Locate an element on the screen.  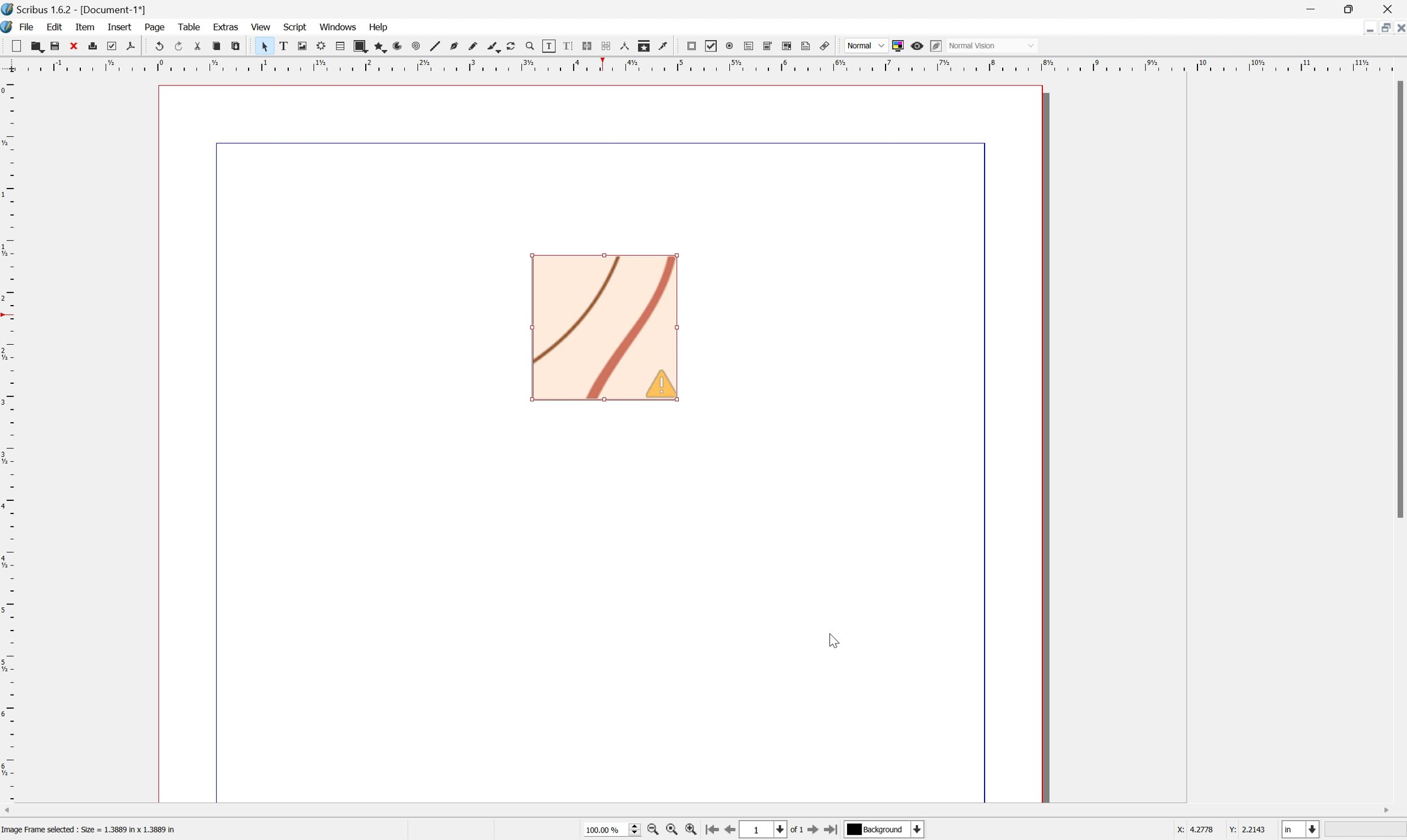
Horizontal Margin is located at coordinates (702, 68).